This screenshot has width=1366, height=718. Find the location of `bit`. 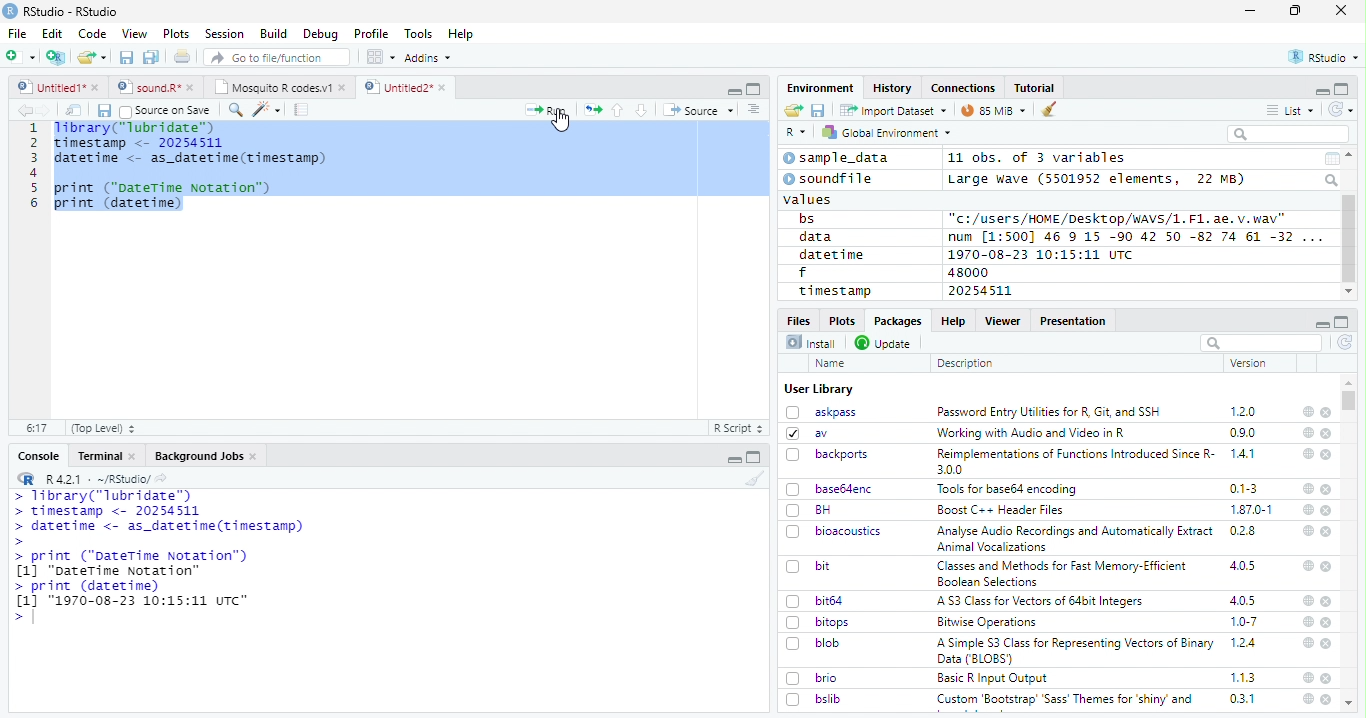

bit is located at coordinates (809, 567).